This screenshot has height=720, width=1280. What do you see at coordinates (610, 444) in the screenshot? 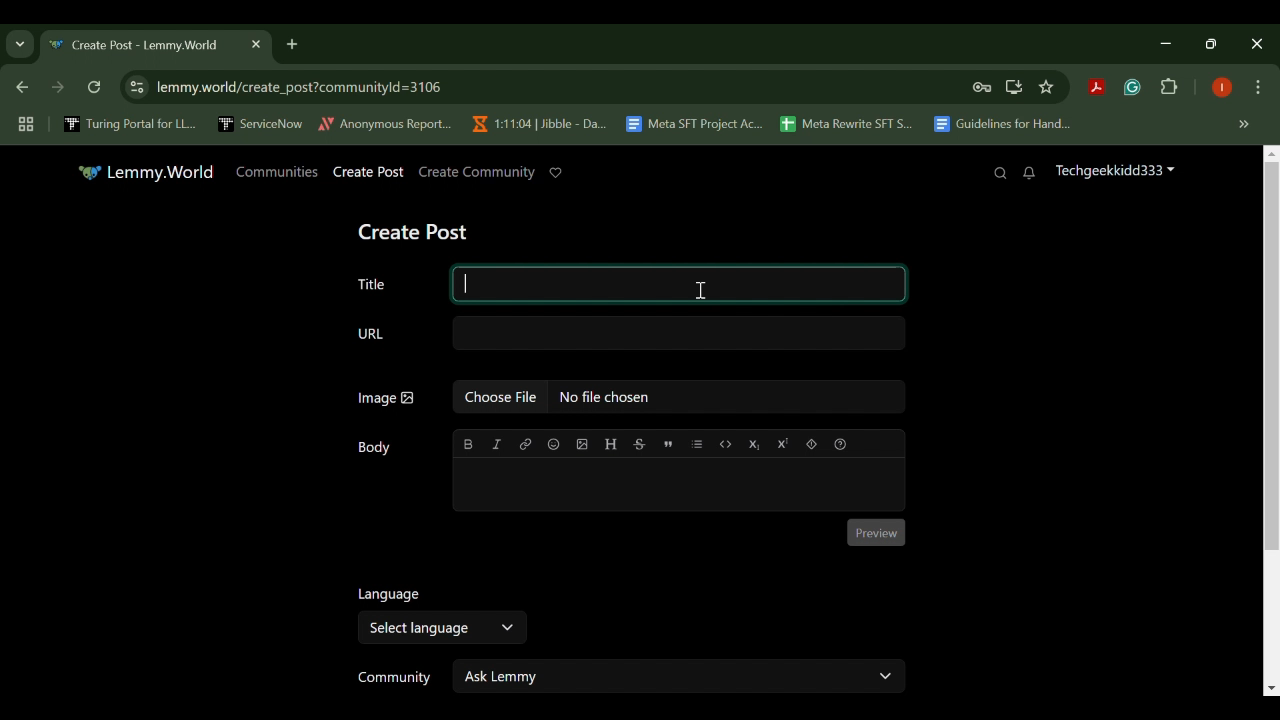
I see `header` at bounding box center [610, 444].